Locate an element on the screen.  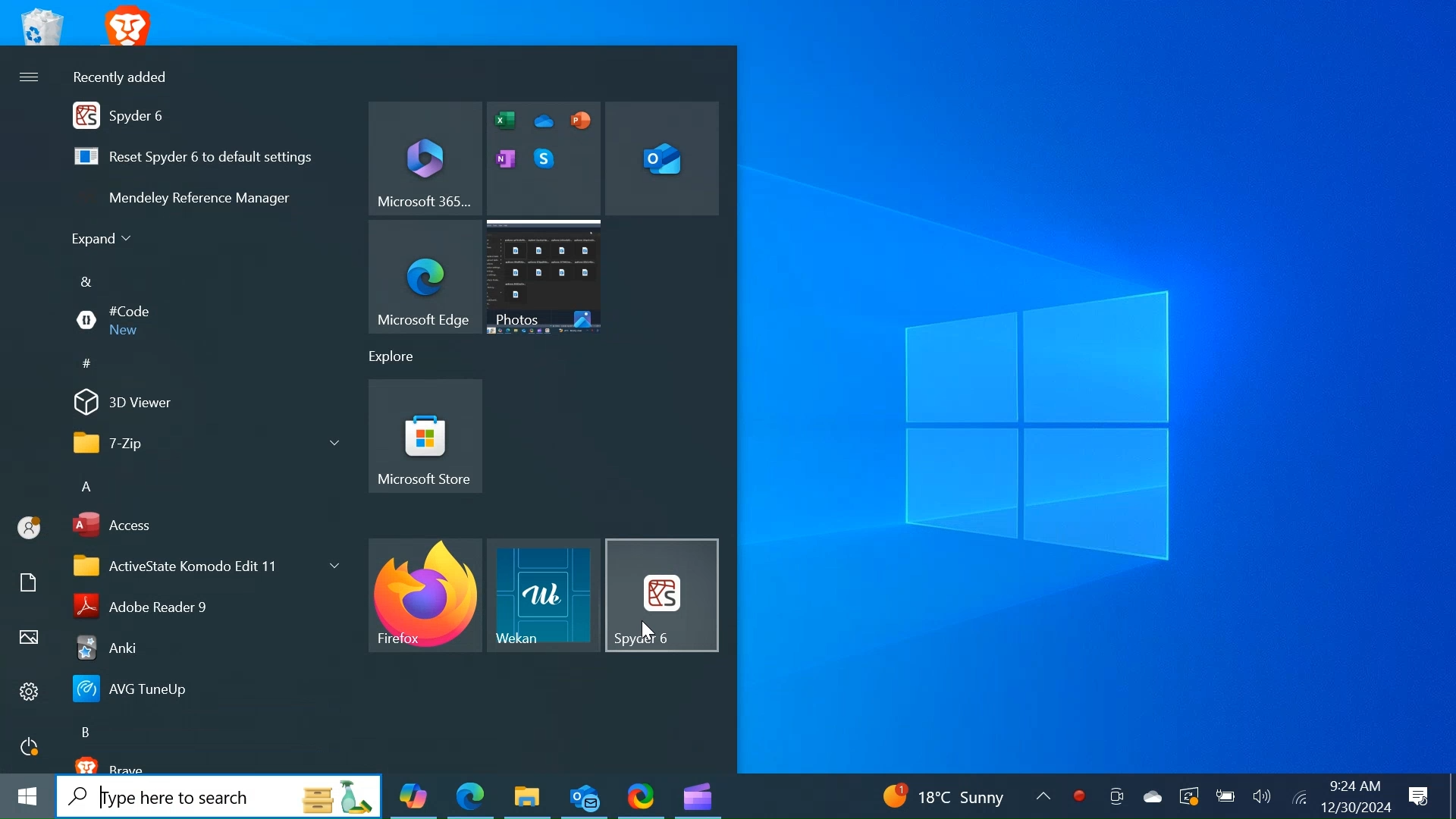
File Explorer is located at coordinates (527, 795).